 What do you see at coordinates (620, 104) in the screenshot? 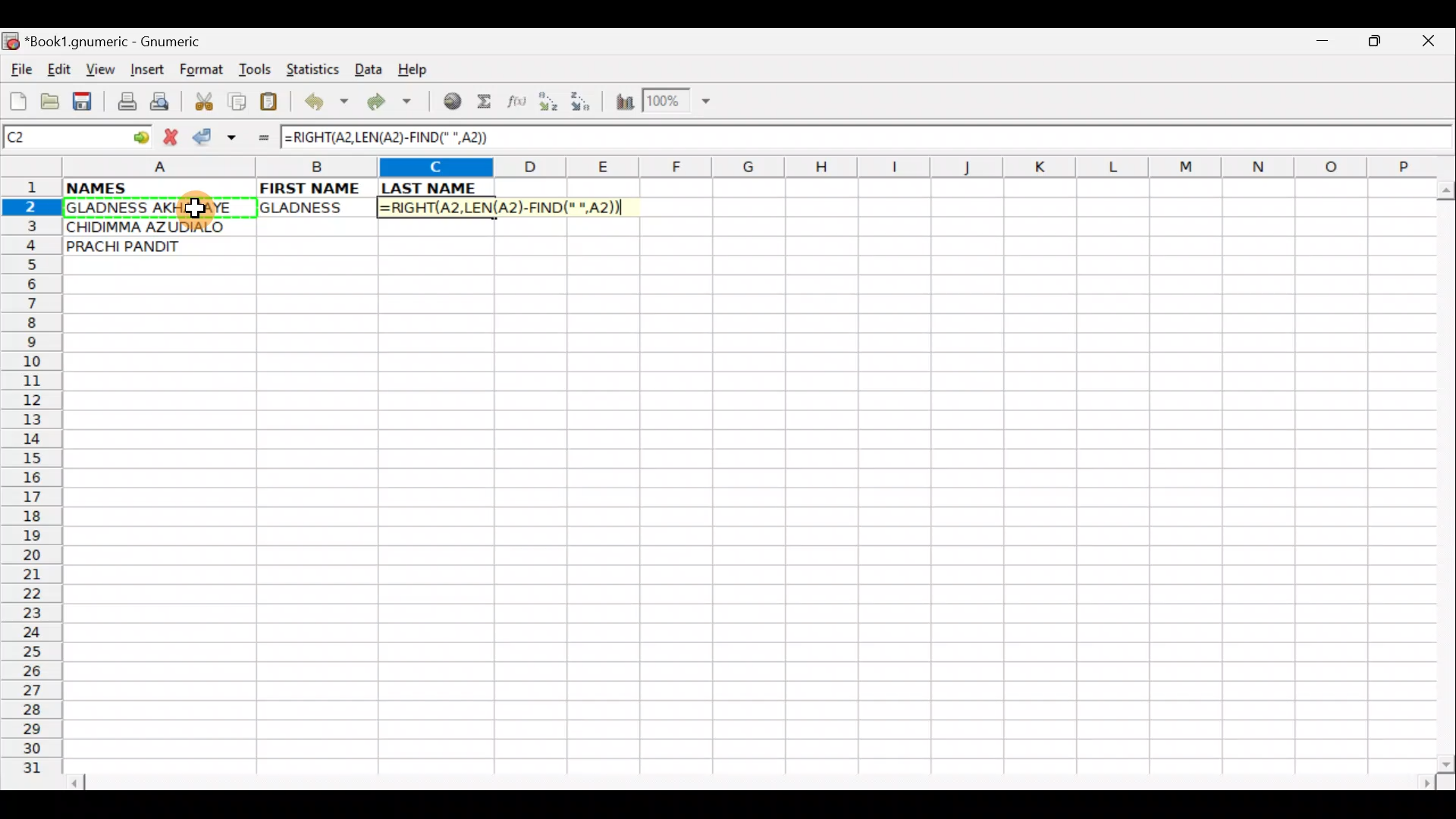
I see `Insert Chart` at bounding box center [620, 104].